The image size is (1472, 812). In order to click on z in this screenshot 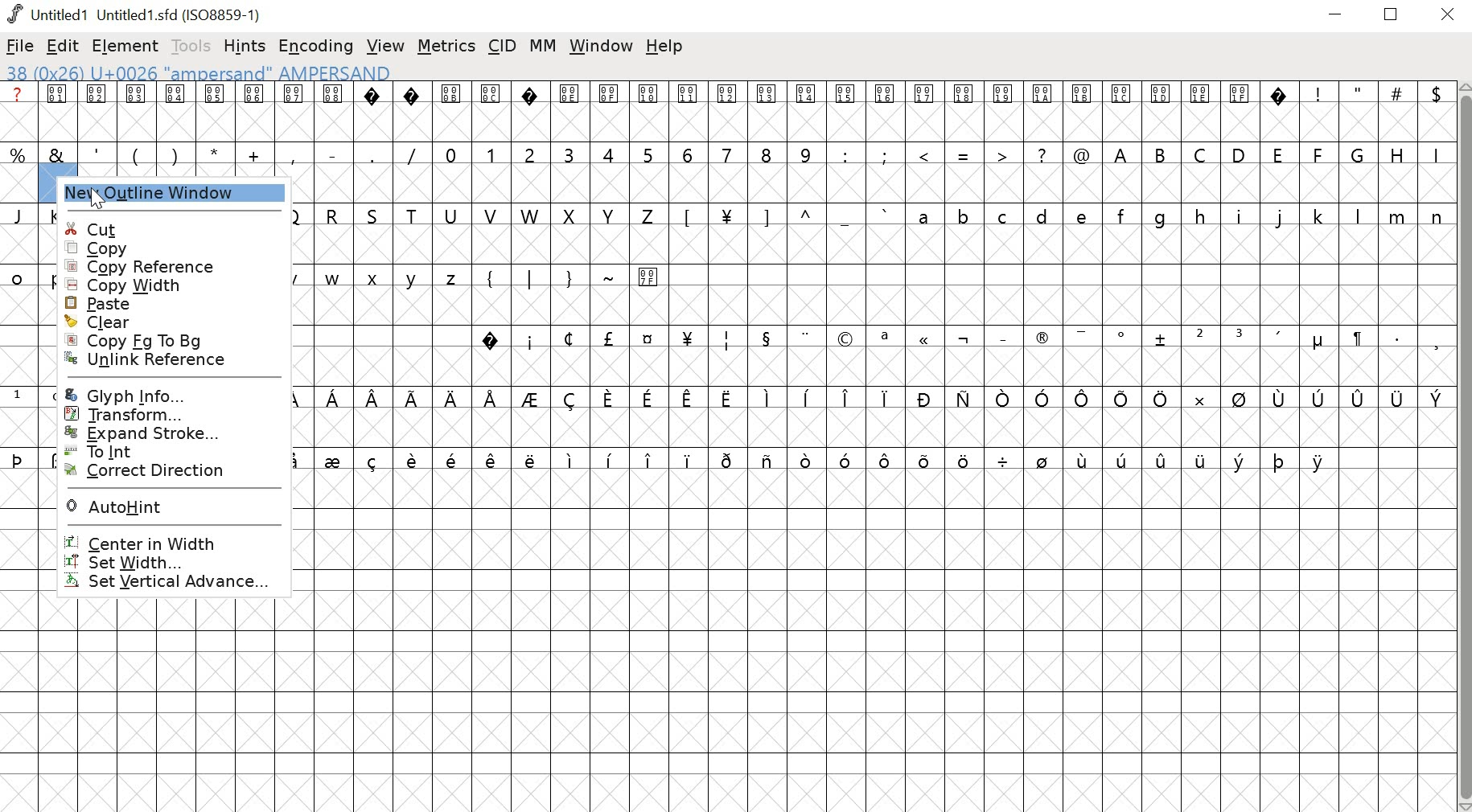, I will do `click(454, 276)`.